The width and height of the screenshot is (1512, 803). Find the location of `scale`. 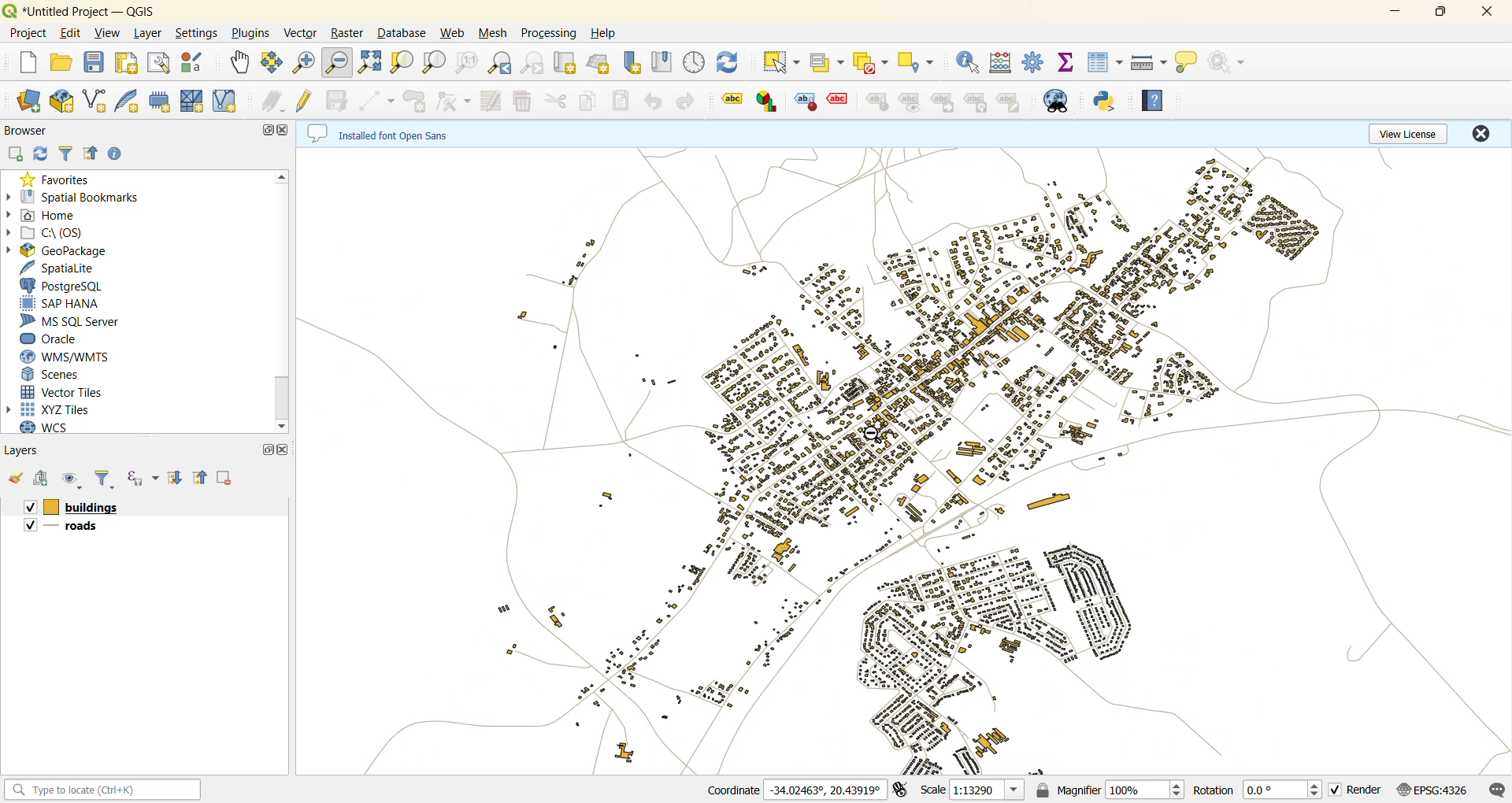

scale is located at coordinates (973, 790).